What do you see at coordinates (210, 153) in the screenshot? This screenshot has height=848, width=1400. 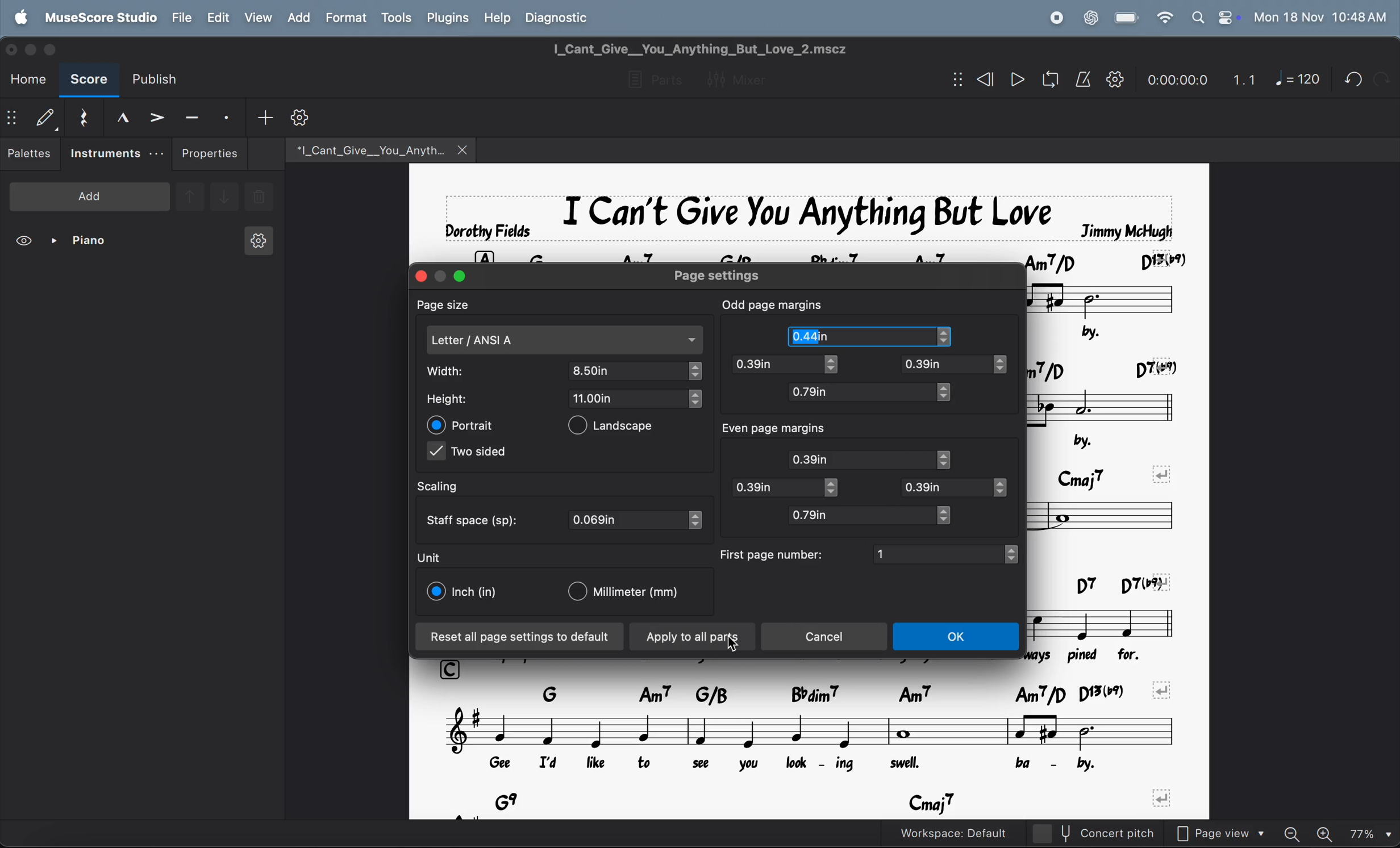 I see `properties` at bounding box center [210, 153].